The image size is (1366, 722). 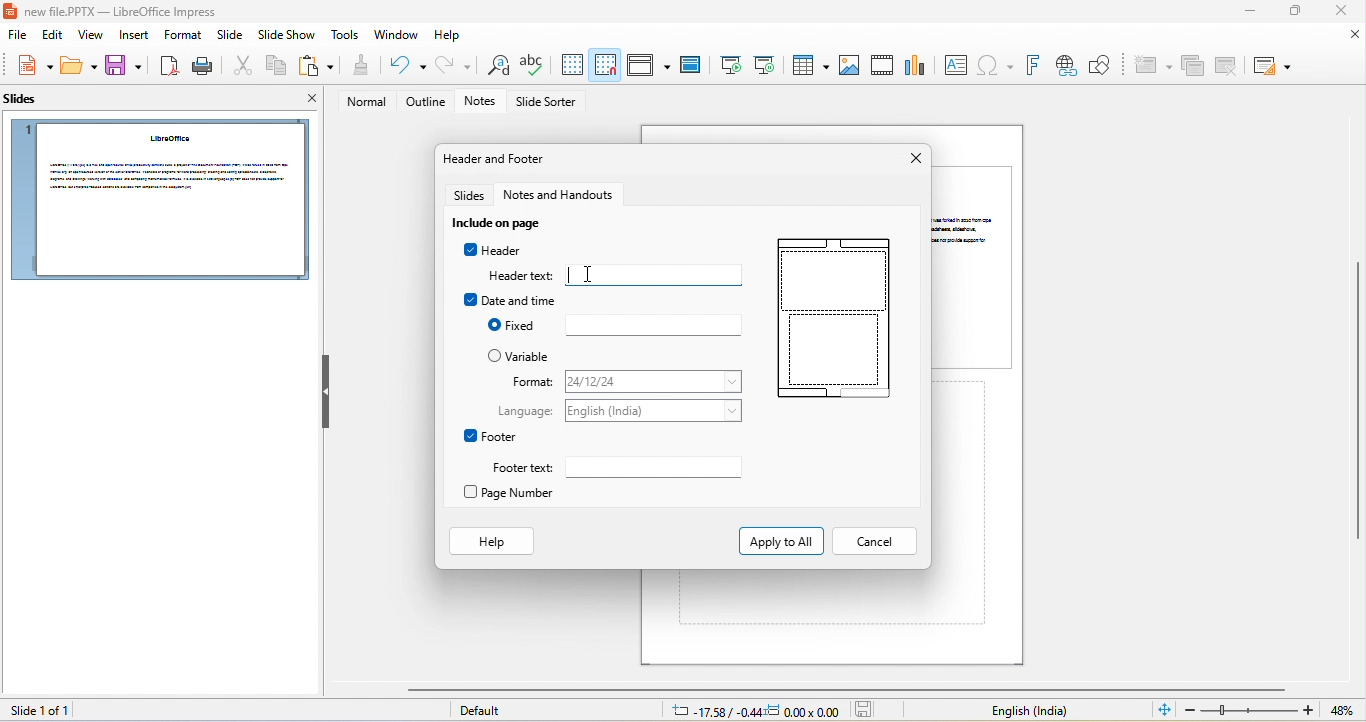 I want to click on fixed, so click(x=652, y=325).